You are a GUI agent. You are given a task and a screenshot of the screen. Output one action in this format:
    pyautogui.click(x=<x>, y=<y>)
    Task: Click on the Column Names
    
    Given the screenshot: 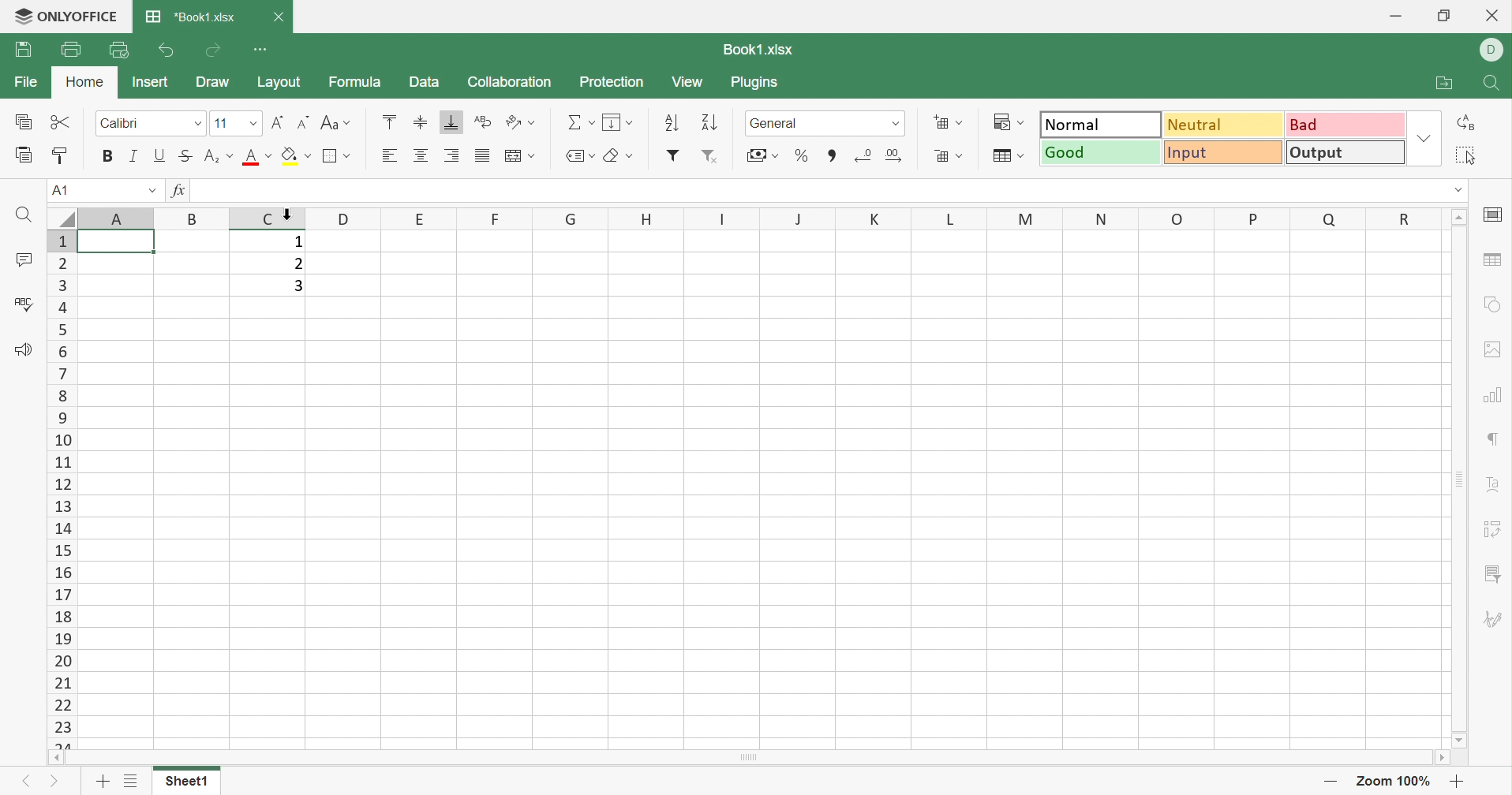 What is the action you would take?
    pyautogui.click(x=746, y=216)
    